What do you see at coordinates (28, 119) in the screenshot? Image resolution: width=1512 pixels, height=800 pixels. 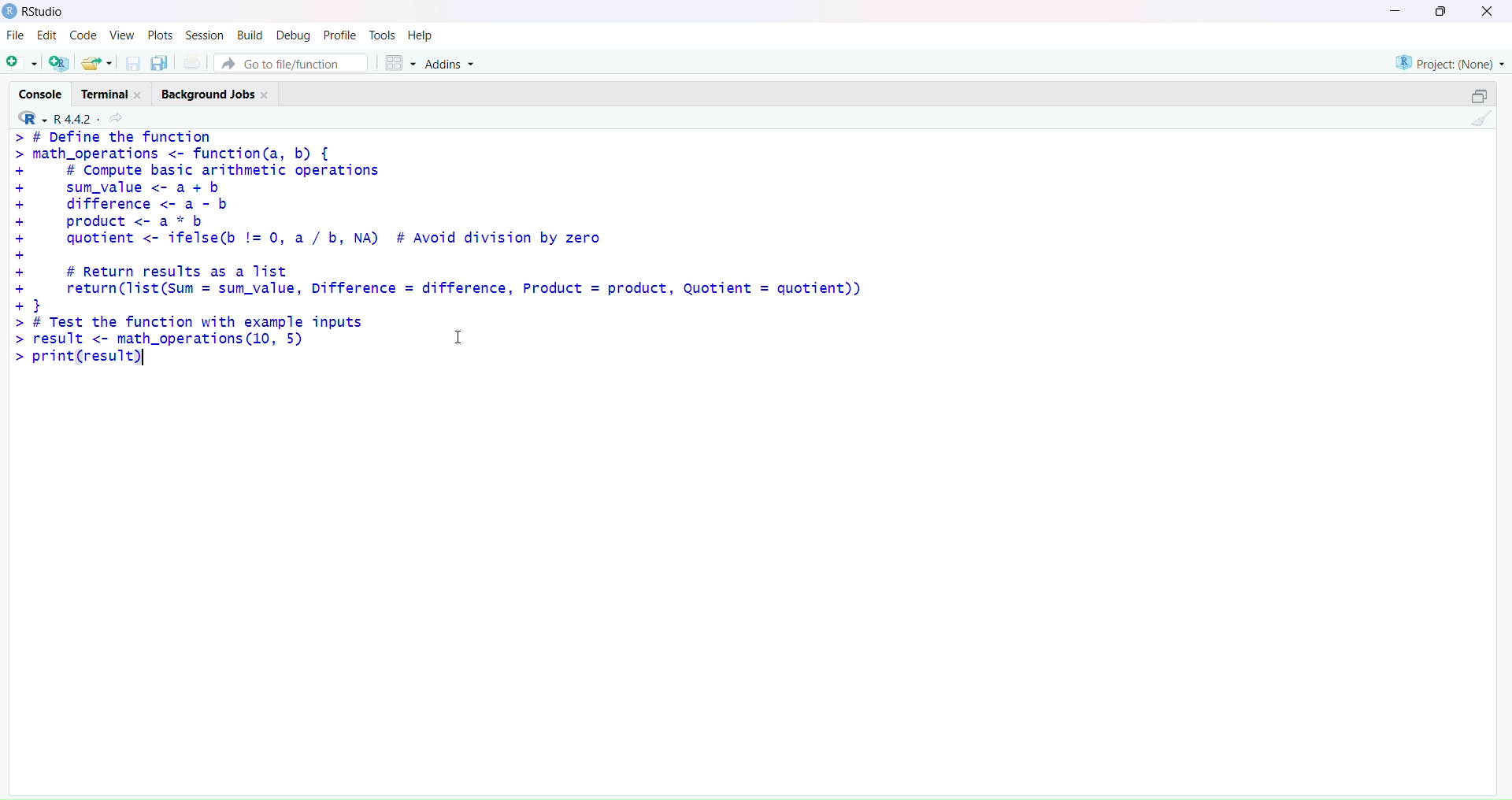 I see `R` at bounding box center [28, 119].